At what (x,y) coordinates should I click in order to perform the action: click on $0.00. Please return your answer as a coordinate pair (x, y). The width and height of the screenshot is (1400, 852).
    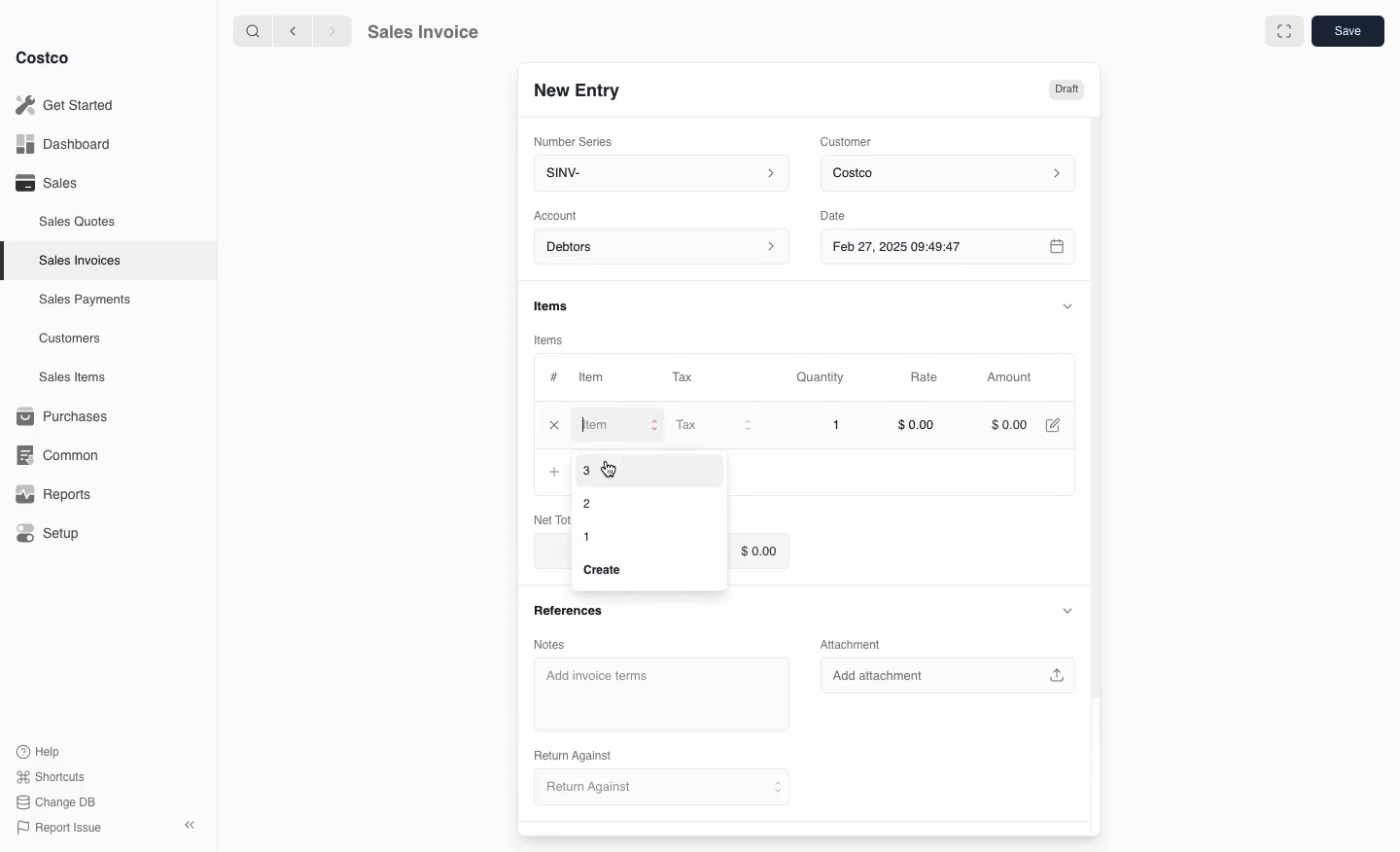
    Looking at the image, I should click on (758, 550).